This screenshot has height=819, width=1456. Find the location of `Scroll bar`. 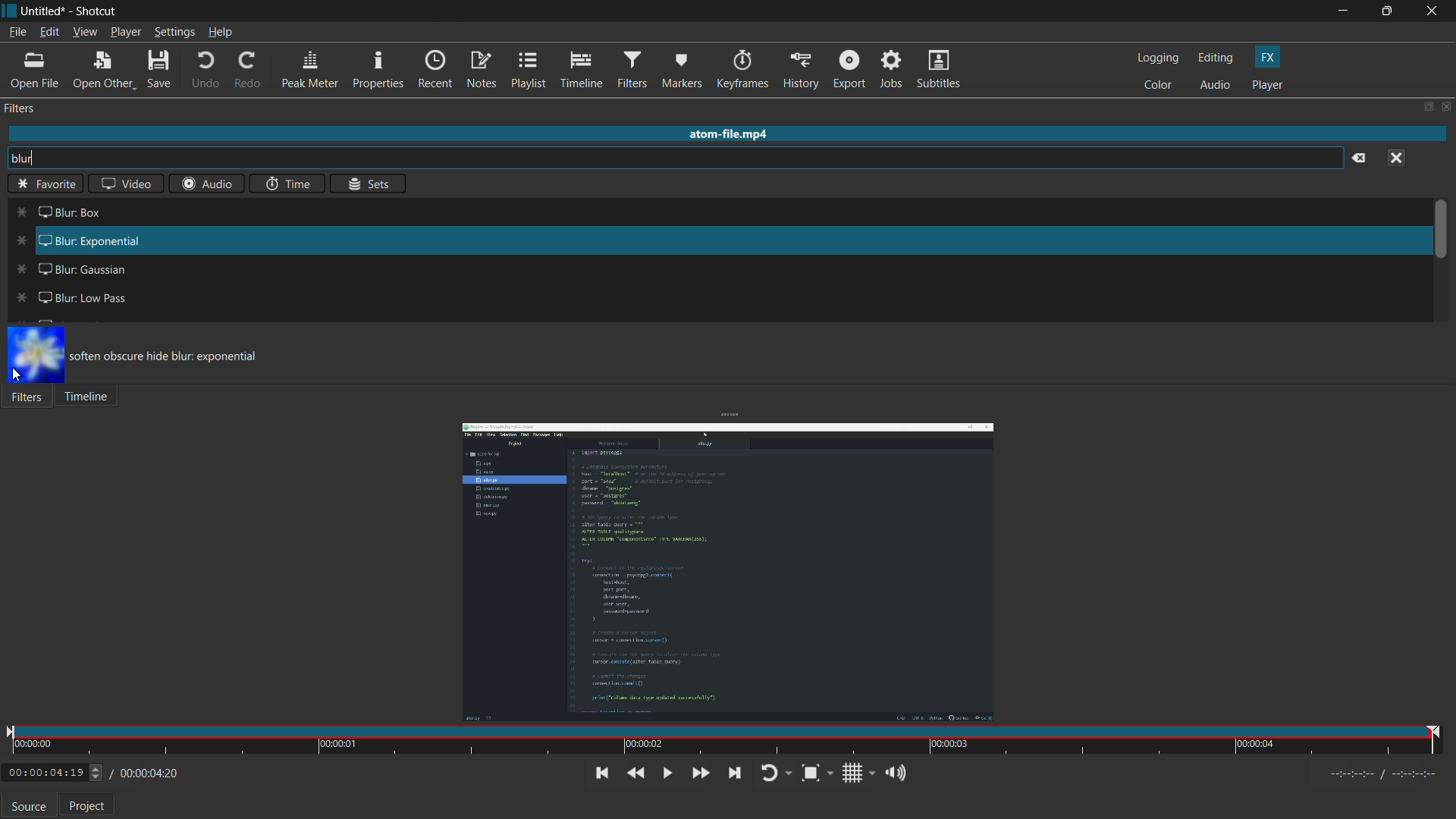

Scroll bar is located at coordinates (1442, 235).